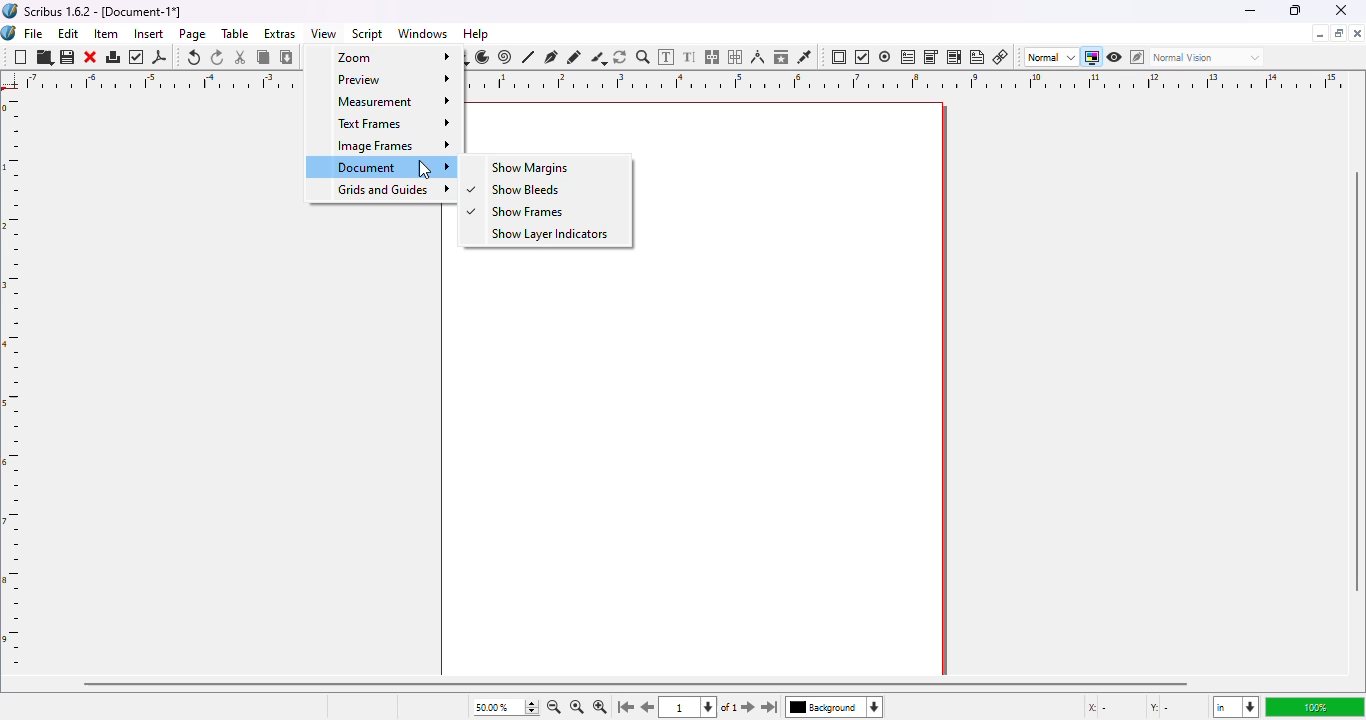  I want to click on vertical scroll bar, so click(1357, 383).